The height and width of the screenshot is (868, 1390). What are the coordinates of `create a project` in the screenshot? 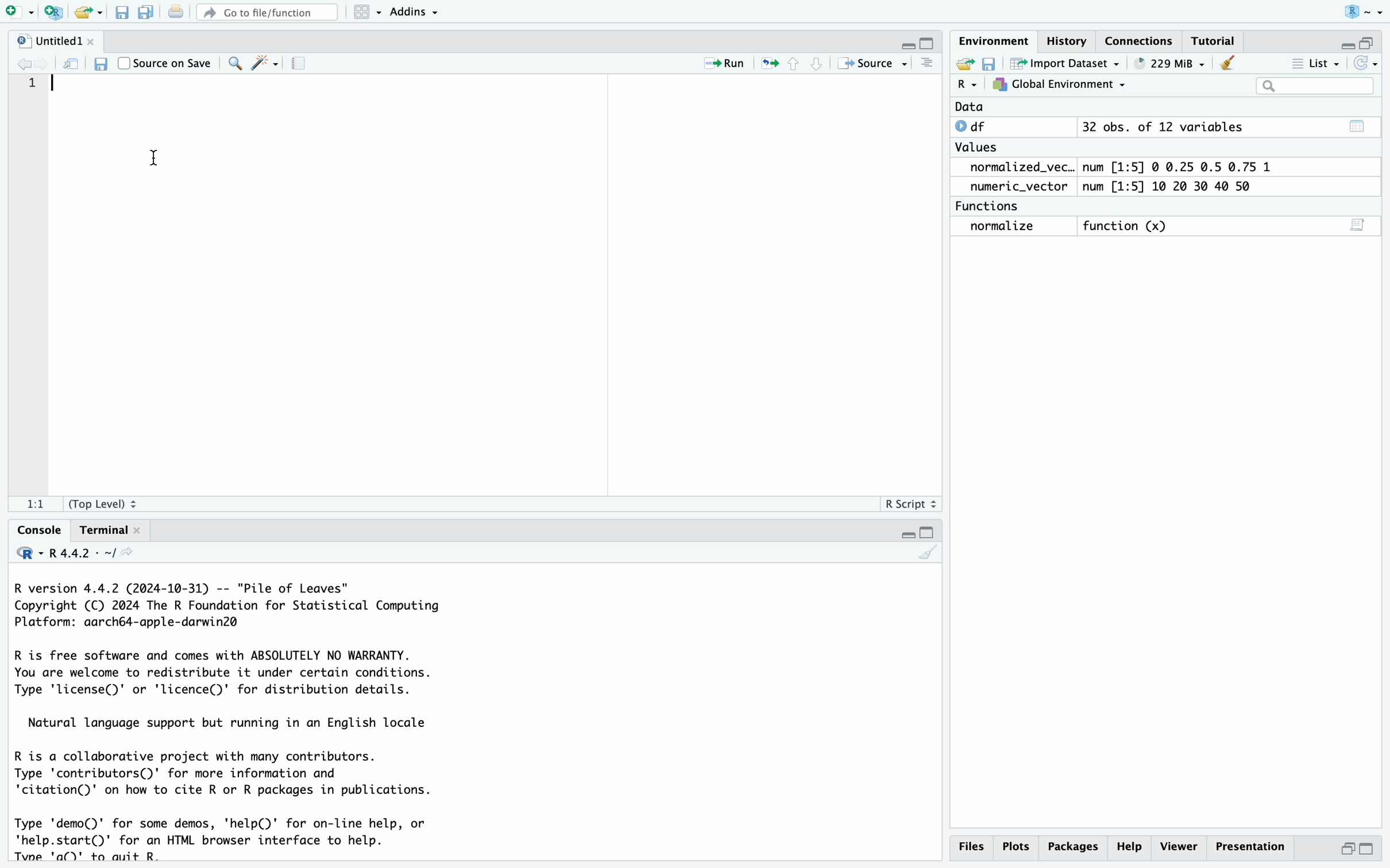 It's located at (53, 13).